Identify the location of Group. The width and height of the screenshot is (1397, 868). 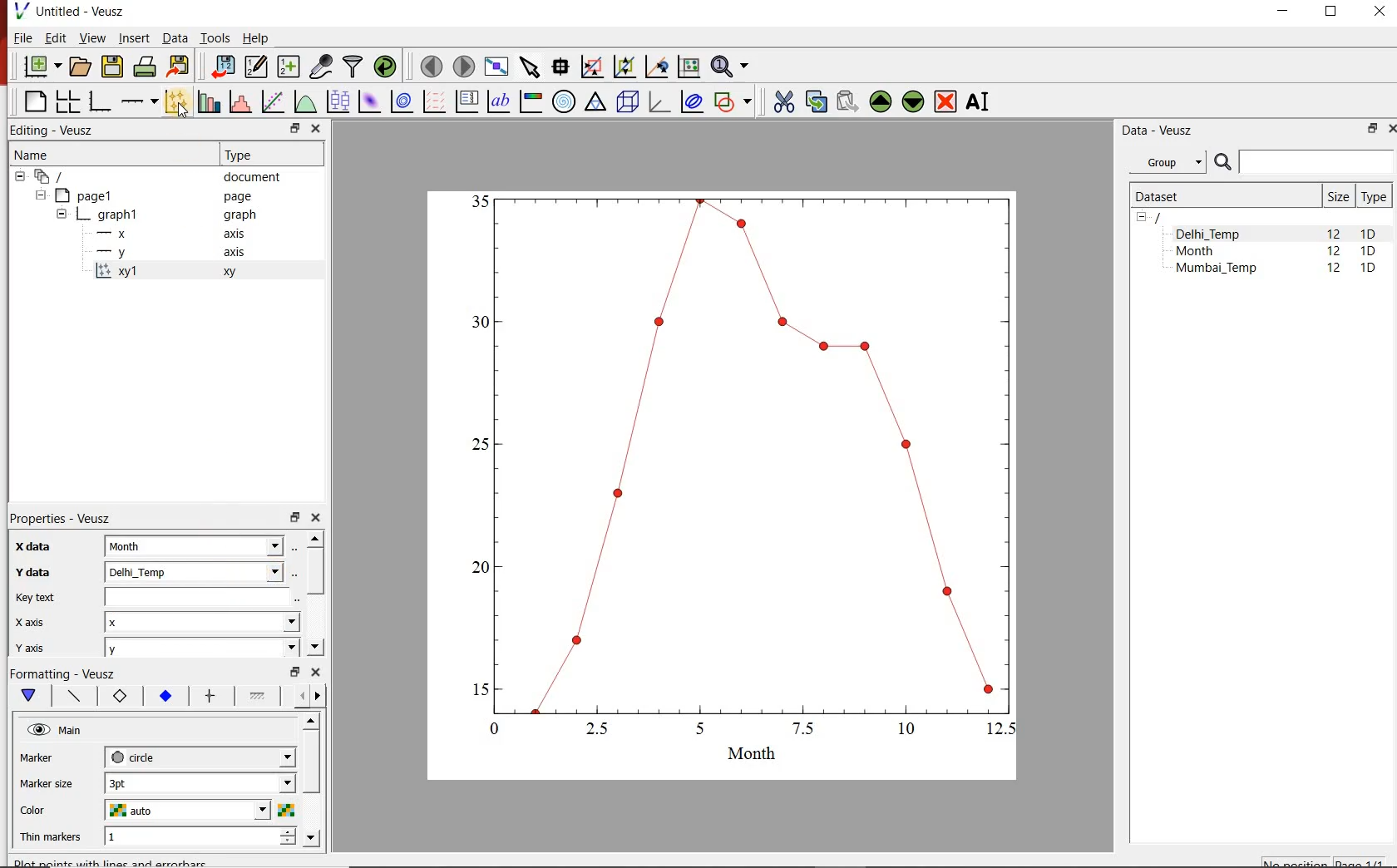
(1167, 160).